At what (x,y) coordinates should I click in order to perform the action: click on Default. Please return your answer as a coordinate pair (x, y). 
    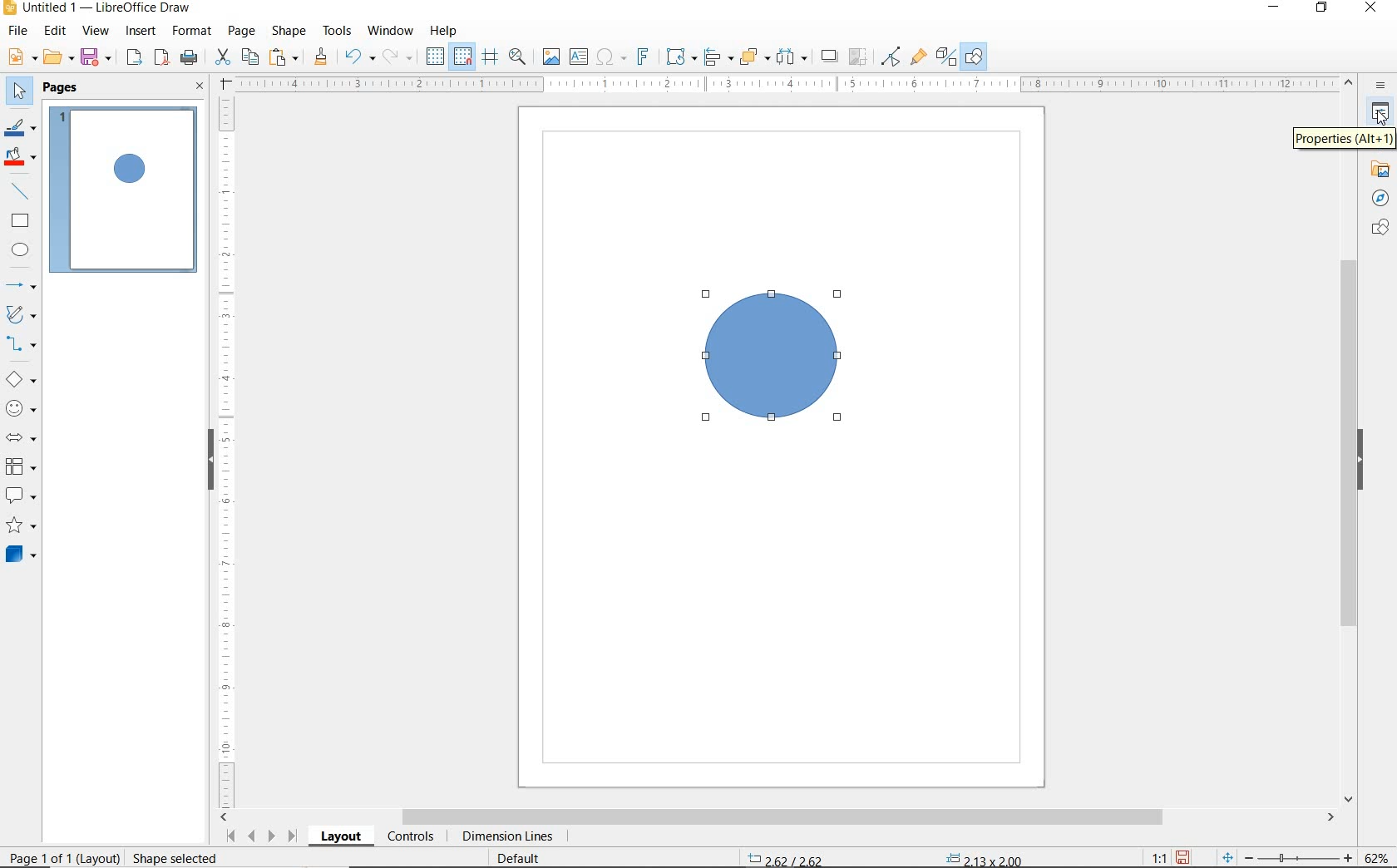
    Looking at the image, I should click on (530, 859).